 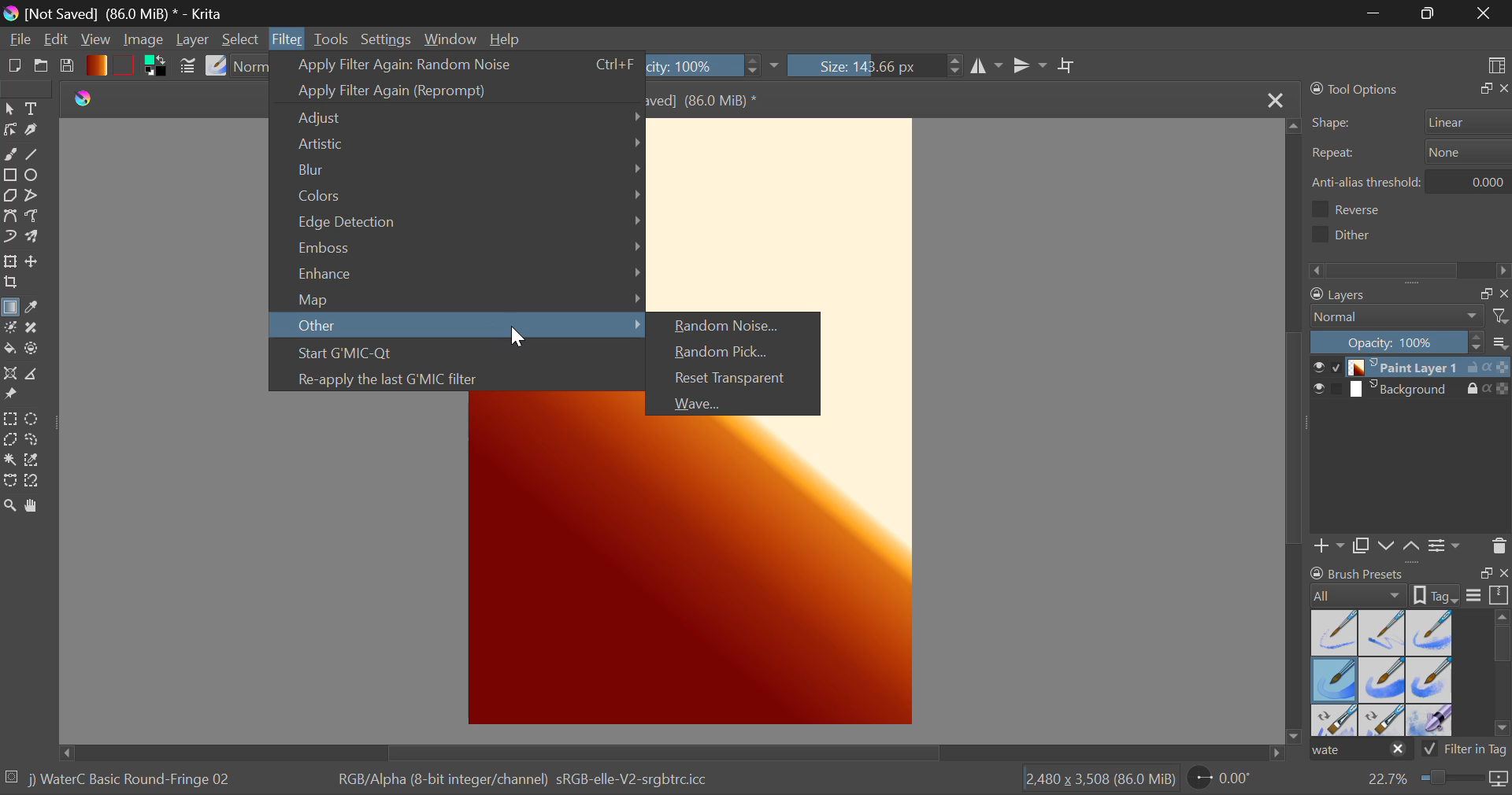 I want to click on logo, so click(x=84, y=97).